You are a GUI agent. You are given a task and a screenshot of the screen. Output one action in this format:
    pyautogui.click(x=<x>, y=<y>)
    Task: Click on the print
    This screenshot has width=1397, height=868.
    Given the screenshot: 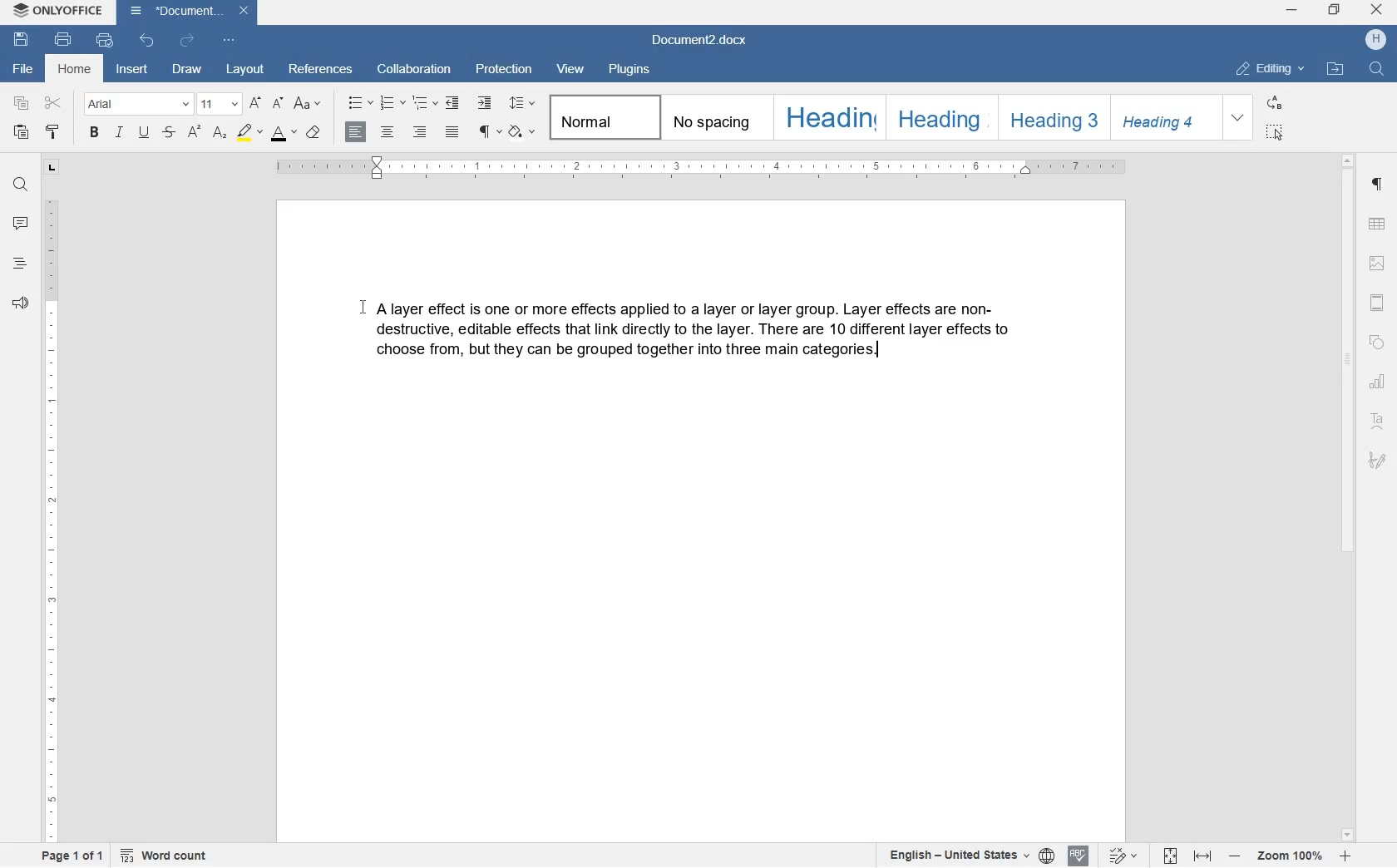 What is the action you would take?
    pyautogui.click(x=63, y=39)
    